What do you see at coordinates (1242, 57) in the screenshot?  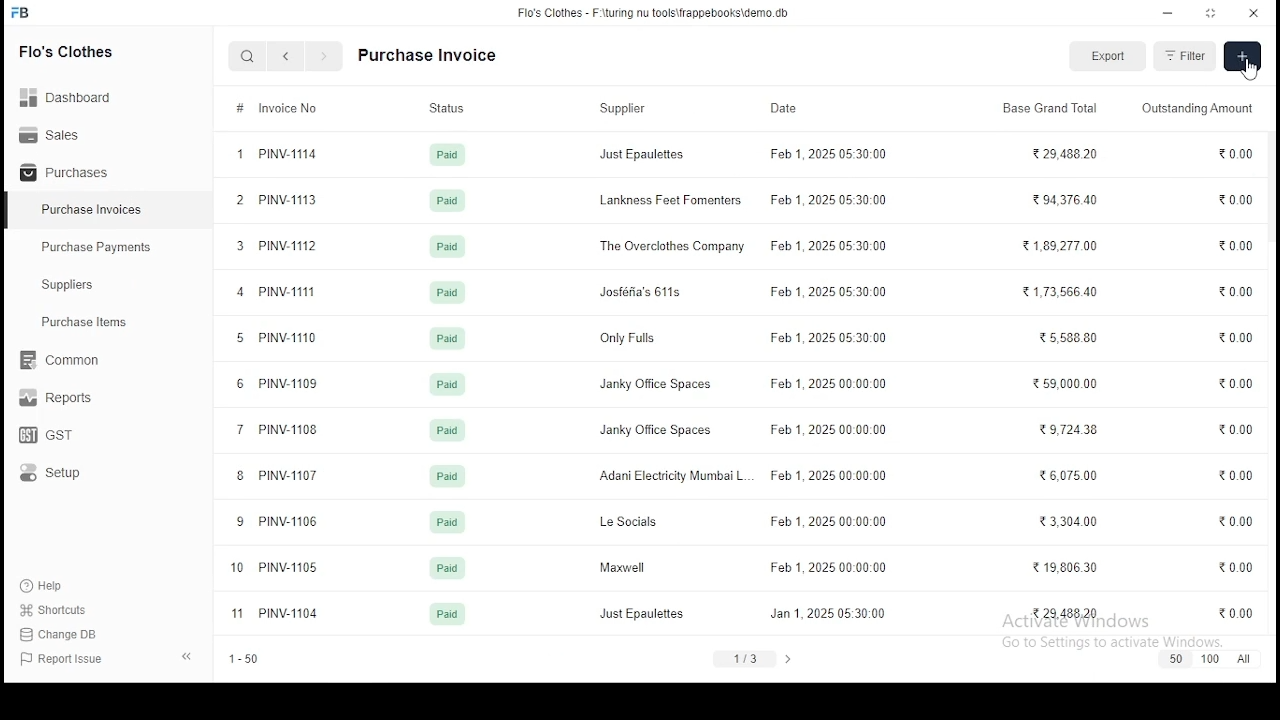 I see `create` at bounding box center [1242, 57].